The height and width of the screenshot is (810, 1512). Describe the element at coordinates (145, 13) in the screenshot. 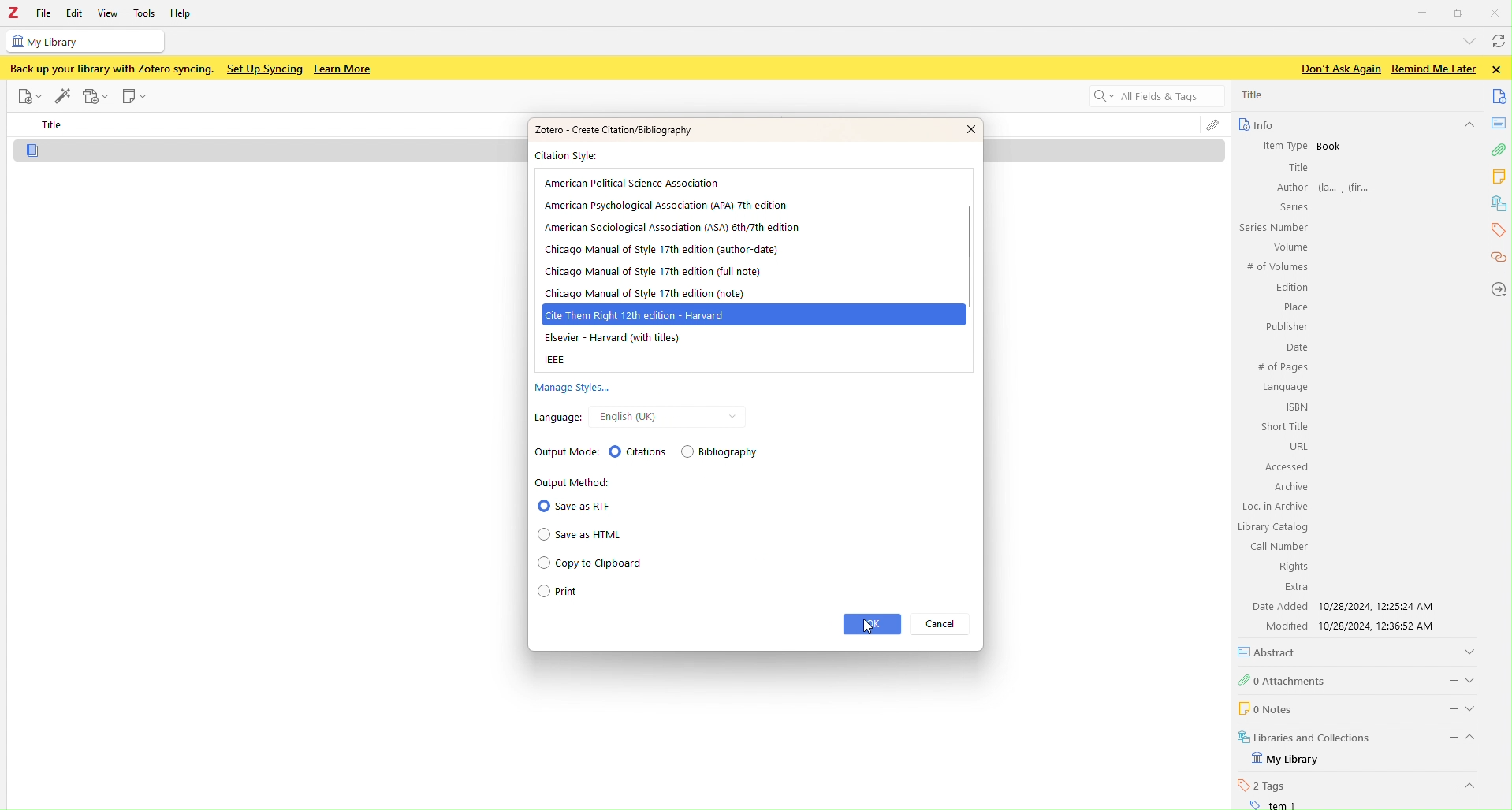

I see `Tools` at that location.